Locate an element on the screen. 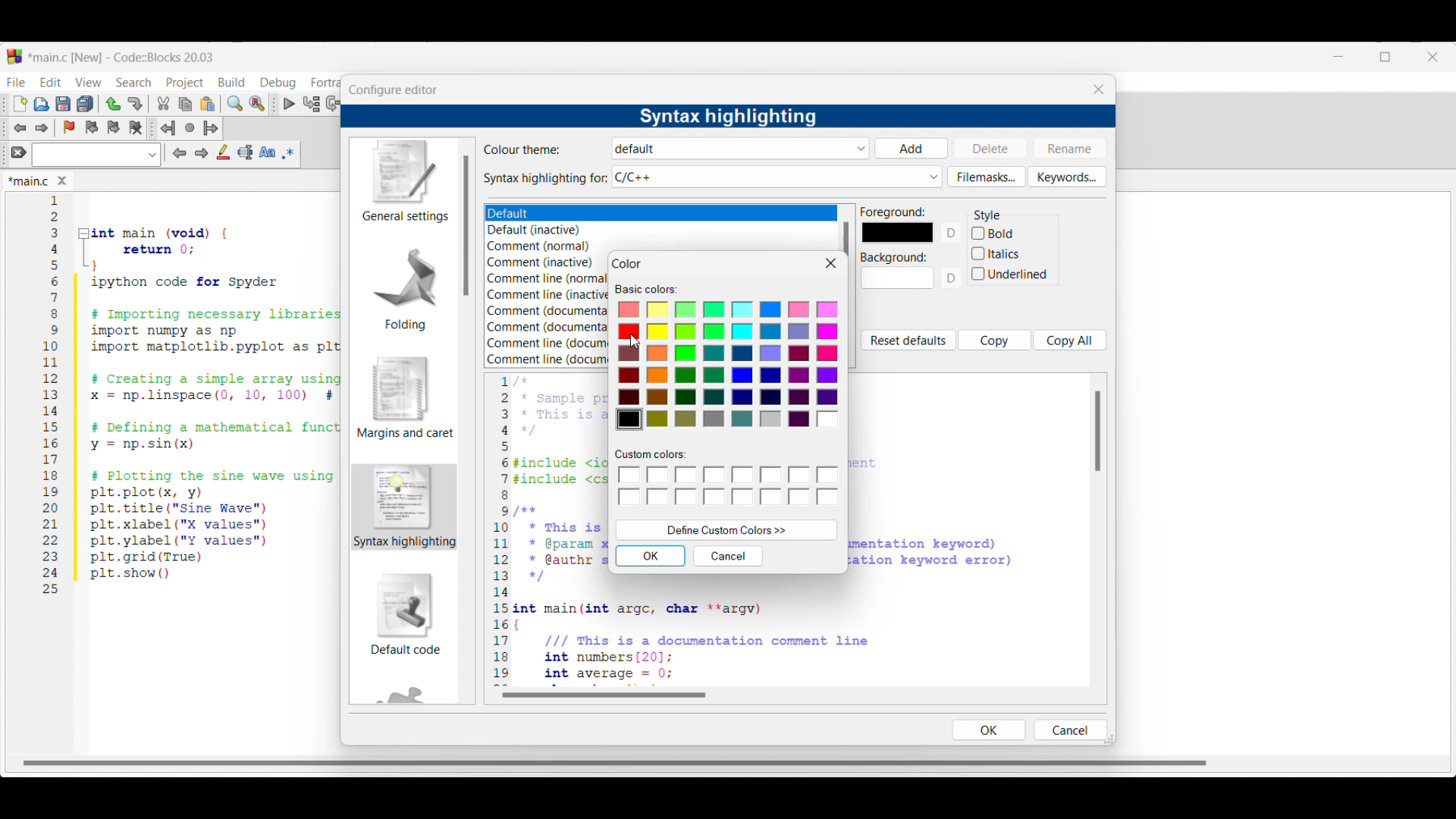  Text box and text options is located at coordinates (96, 155).